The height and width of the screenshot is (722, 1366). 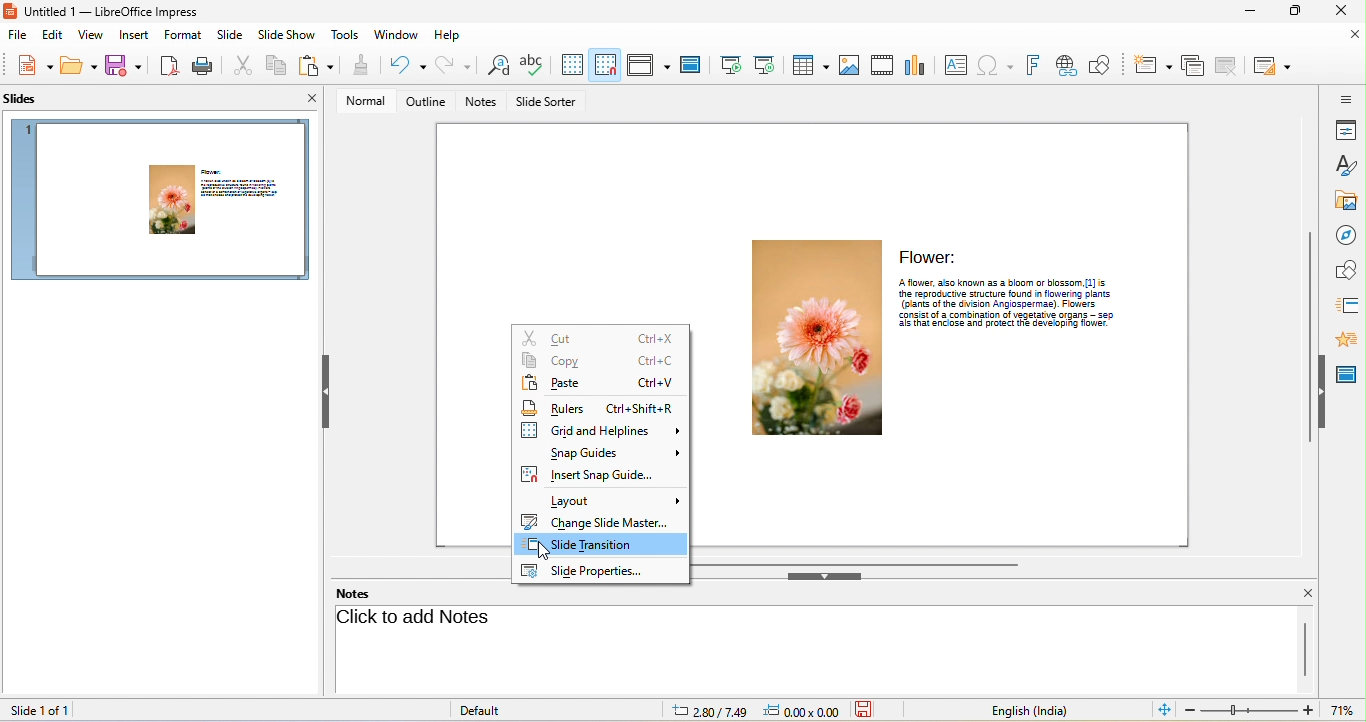 What do you see at coordinates (397, 36) in the screenshot?
I see `window` at bounding box center [397, 36].